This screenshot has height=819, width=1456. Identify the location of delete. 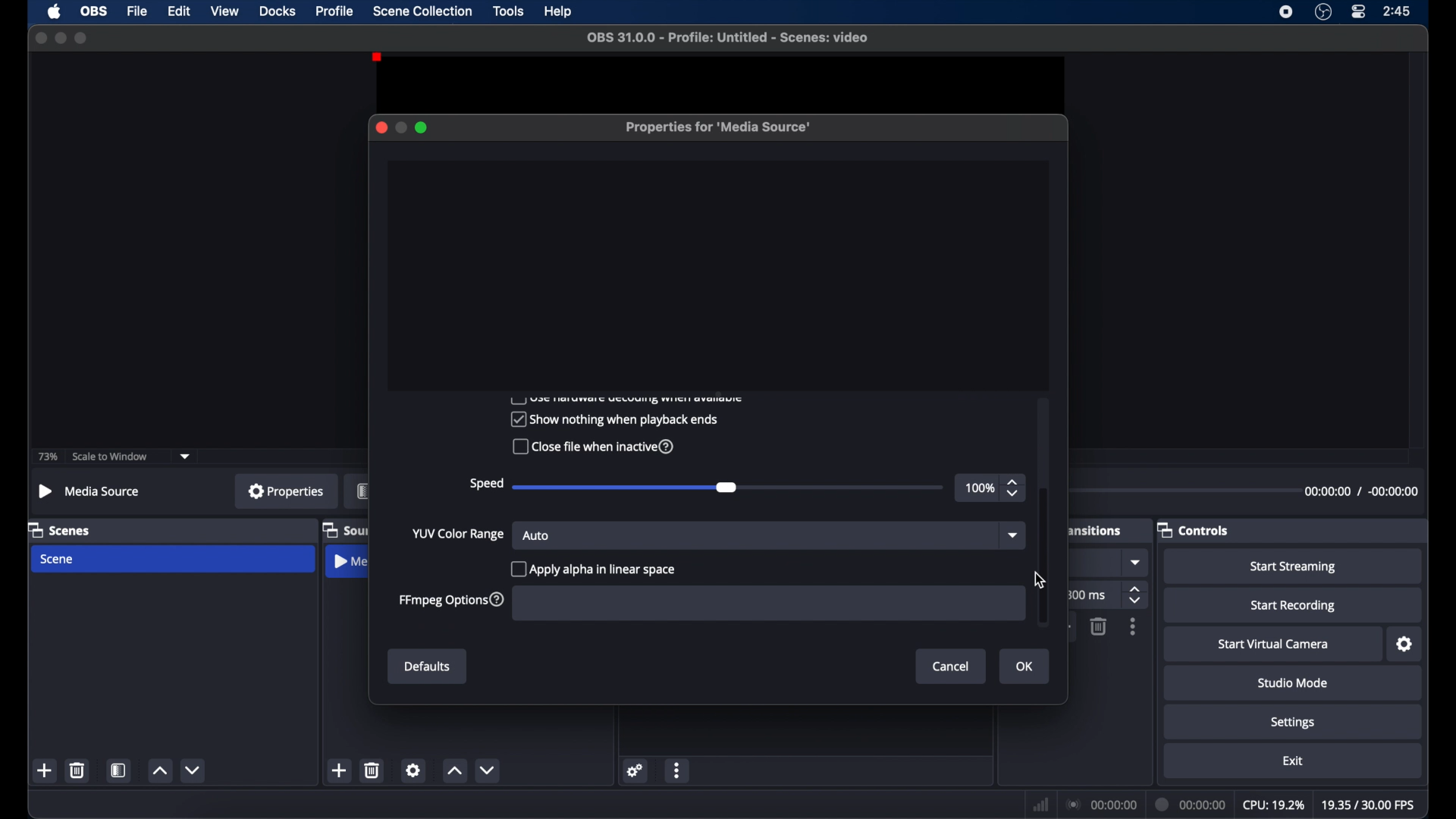
(373, 770).